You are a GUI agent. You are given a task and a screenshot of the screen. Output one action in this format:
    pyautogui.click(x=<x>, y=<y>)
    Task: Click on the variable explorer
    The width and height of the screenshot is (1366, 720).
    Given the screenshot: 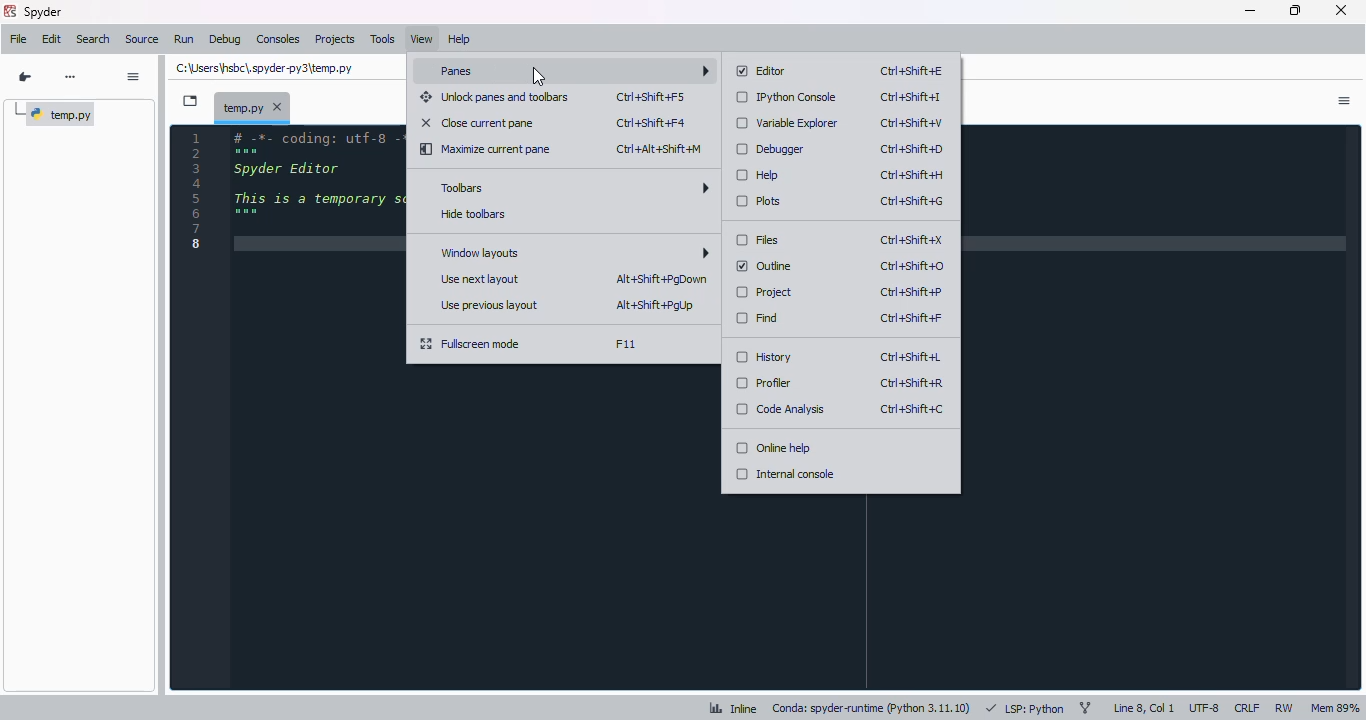 What is the action you would take?
    pyautogui.click(x=788, y=123)
    